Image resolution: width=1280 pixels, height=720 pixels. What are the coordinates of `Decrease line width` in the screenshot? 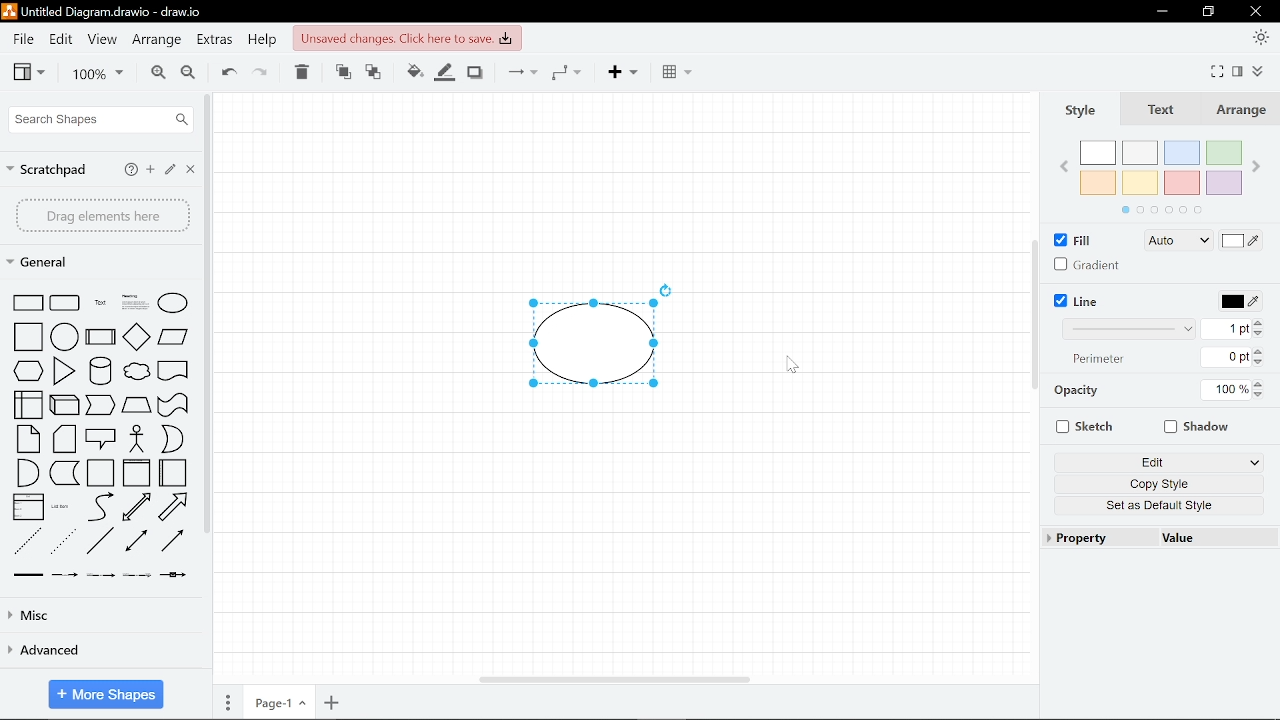 It's located at (1263, 336).